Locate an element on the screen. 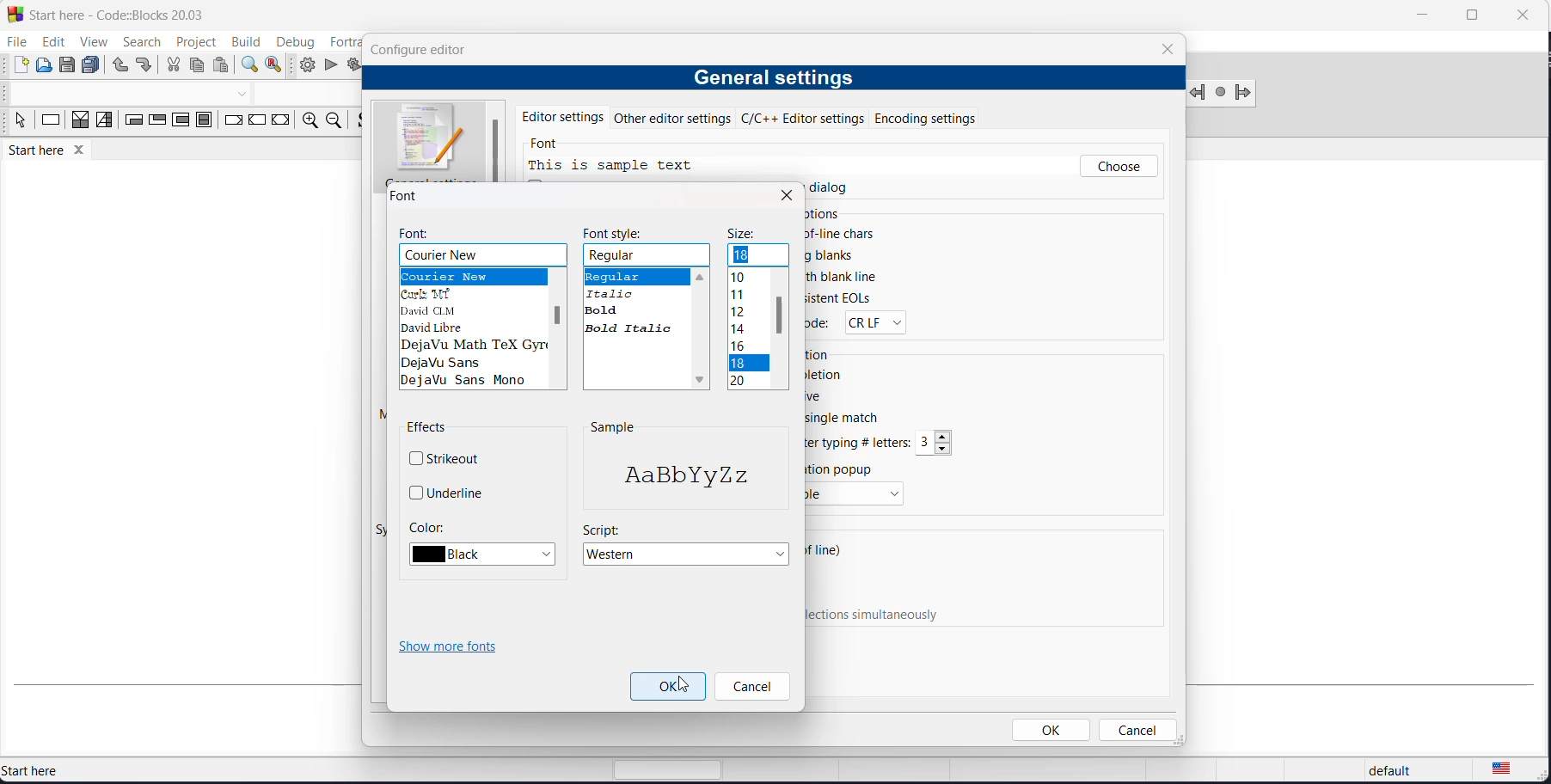 This screenshot has height=784, width=1551. EDFs is located at coordinates (840, 298).